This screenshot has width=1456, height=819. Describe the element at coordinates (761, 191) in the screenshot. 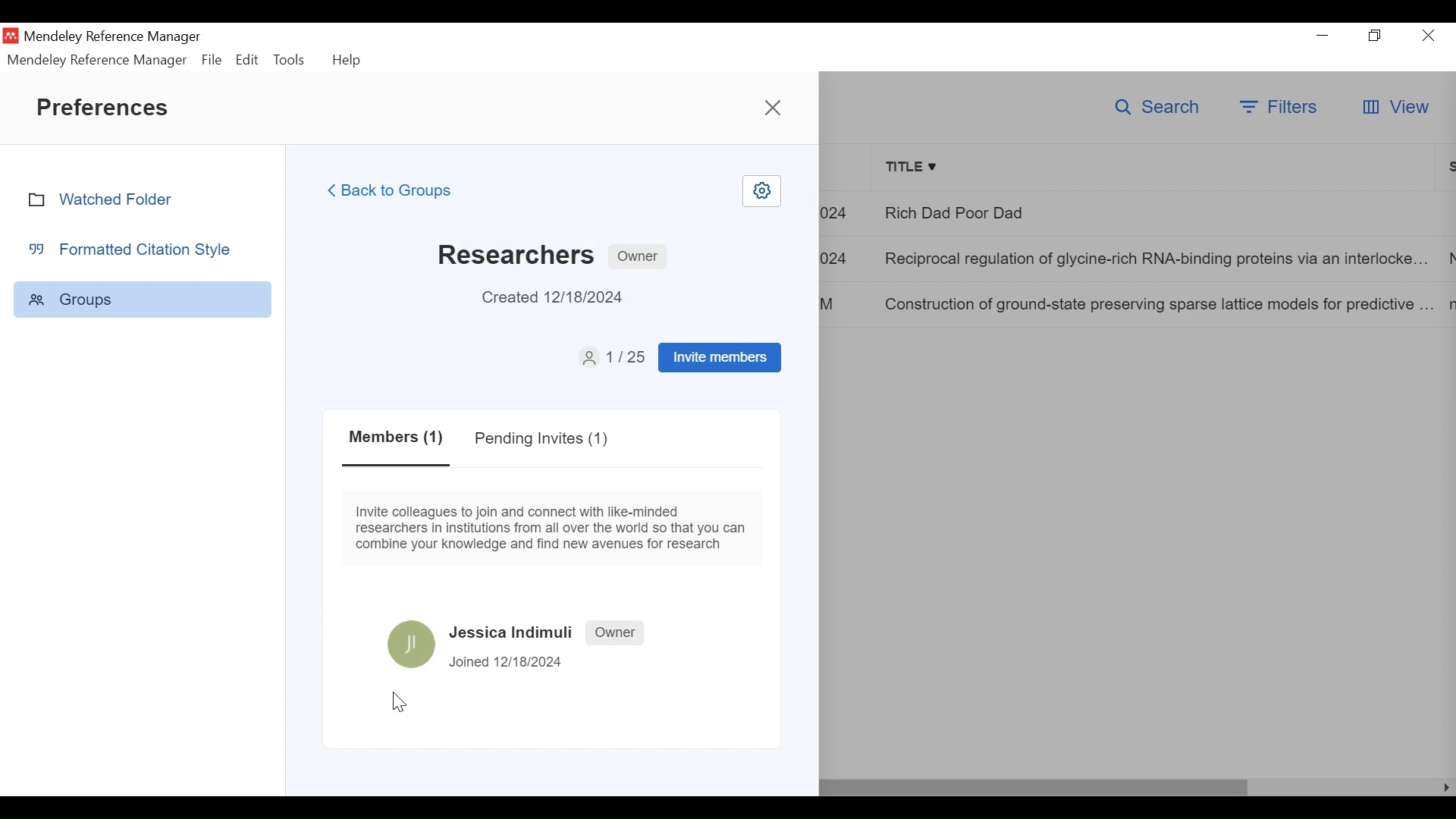

I see `Settings` at that location.